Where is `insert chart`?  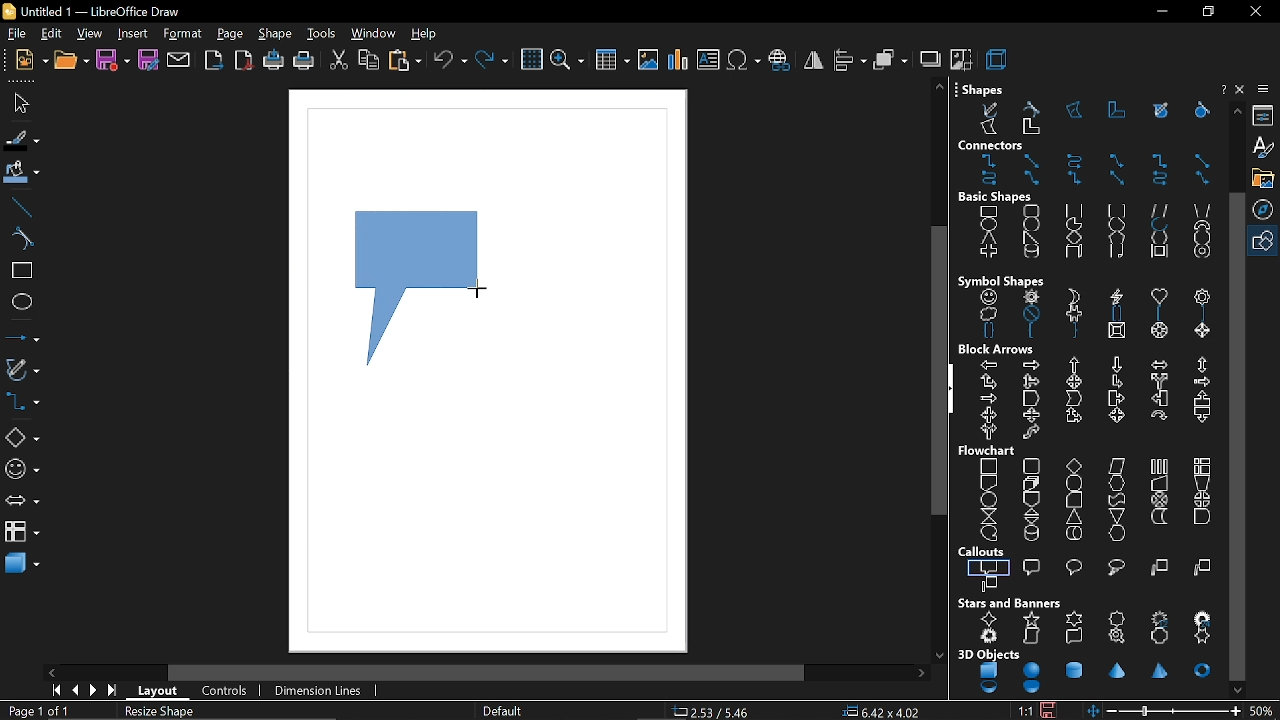
insert chart is located at coordinates (676, 60).